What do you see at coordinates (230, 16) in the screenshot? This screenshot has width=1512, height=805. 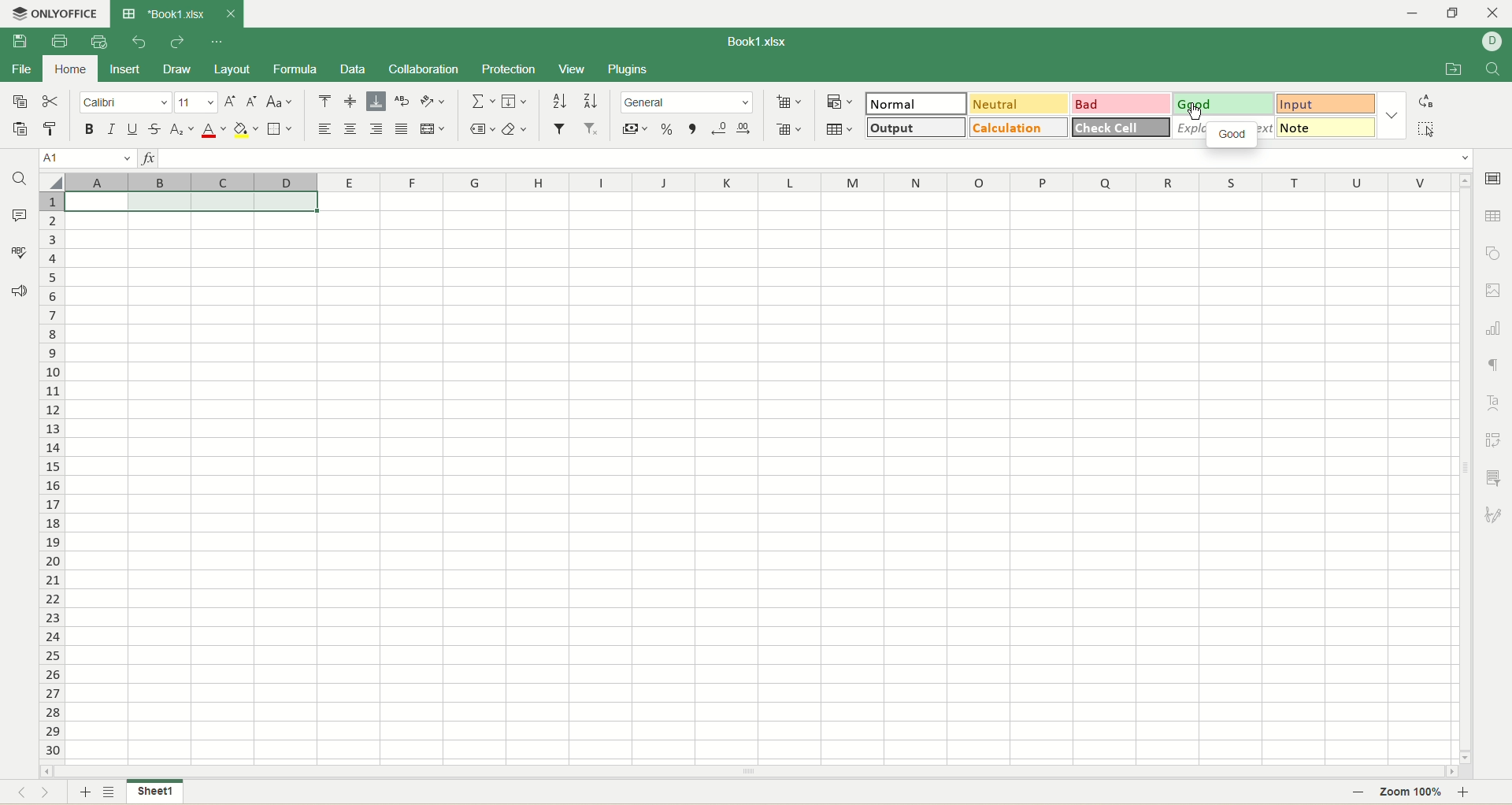 I see `close` at bounding box center [230, 16].